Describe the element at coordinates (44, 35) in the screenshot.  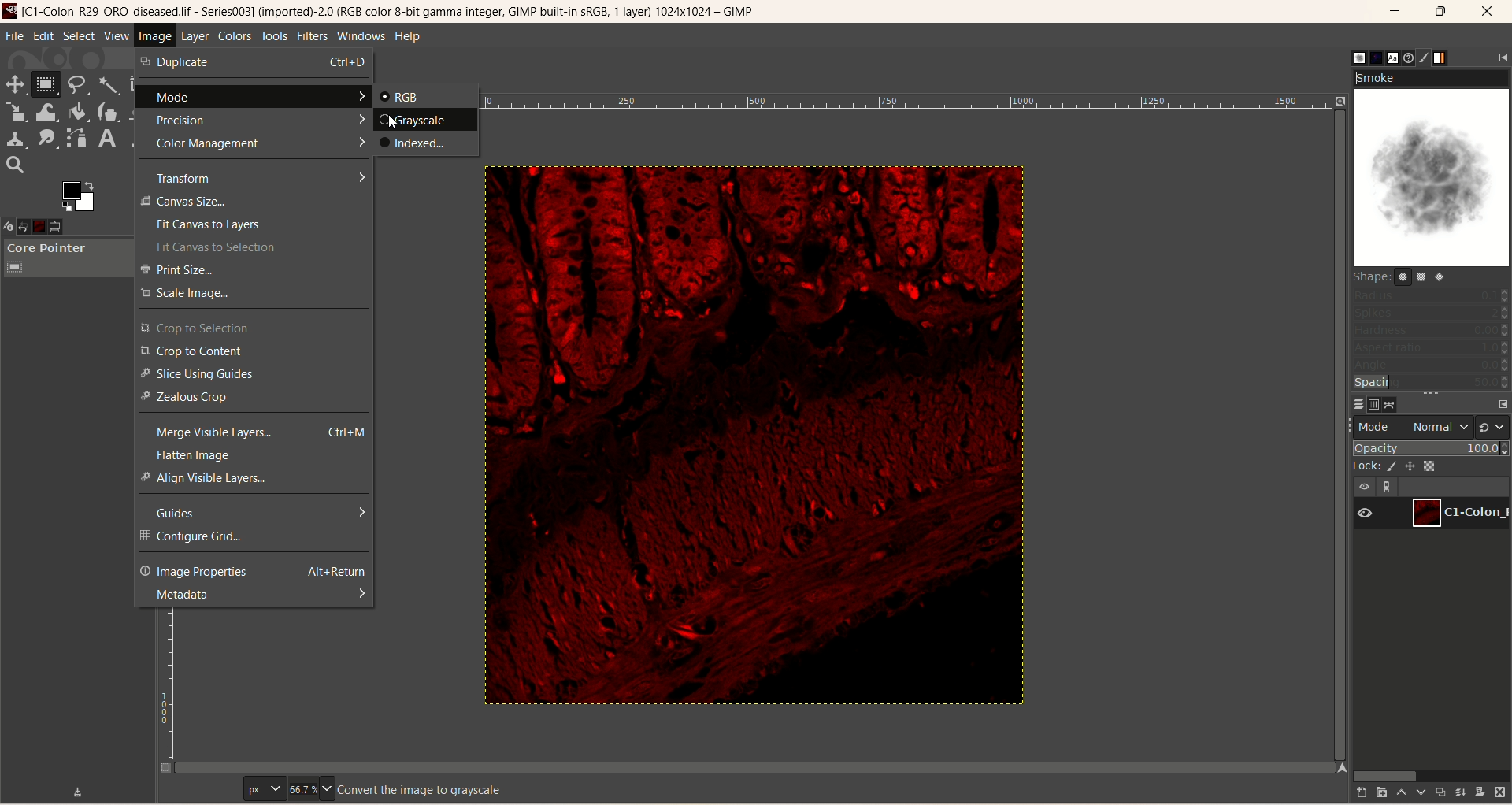
I see `edit` at that location.